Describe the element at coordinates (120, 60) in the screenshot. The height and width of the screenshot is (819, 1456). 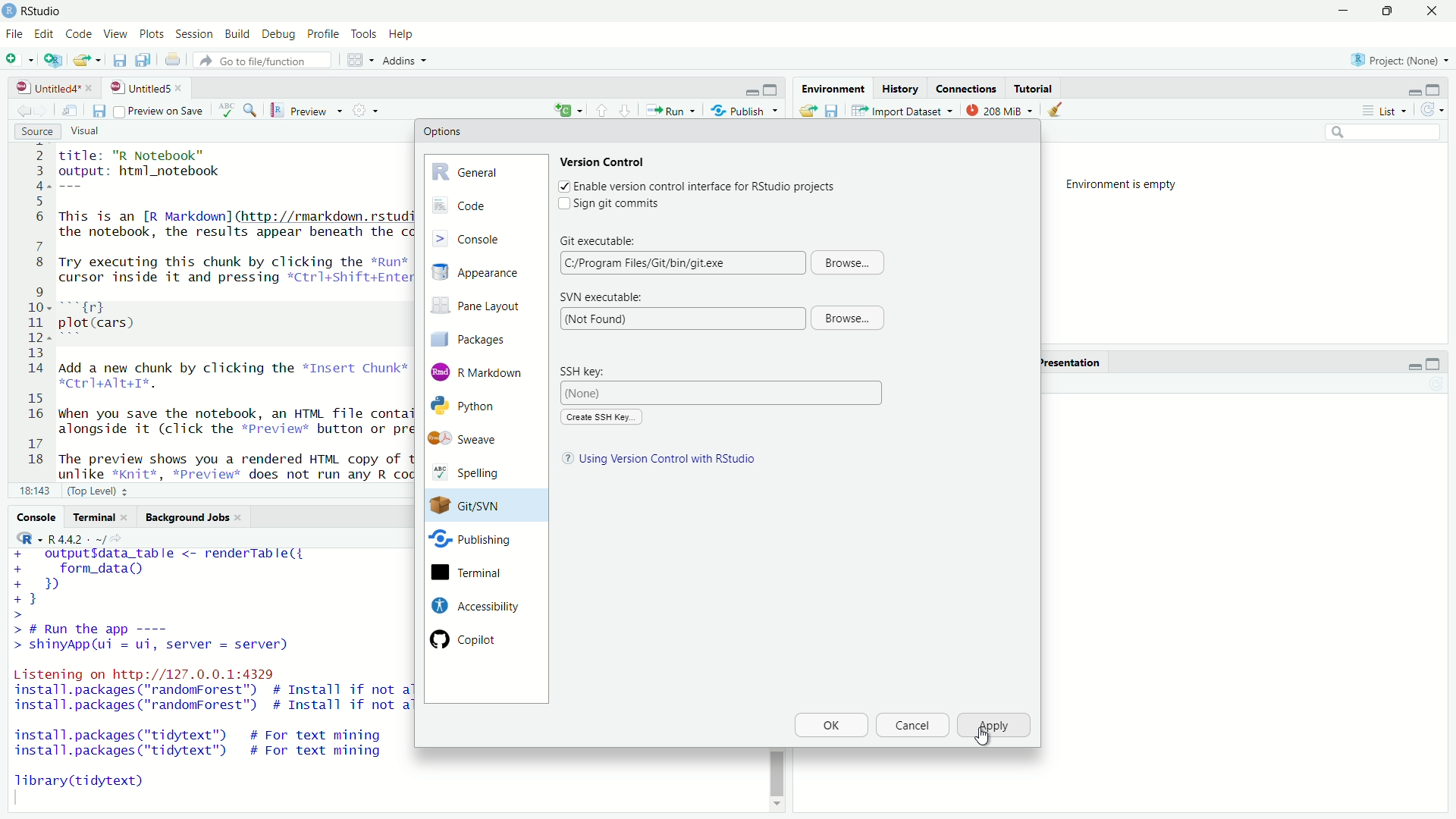
I see `save current document` at that location.